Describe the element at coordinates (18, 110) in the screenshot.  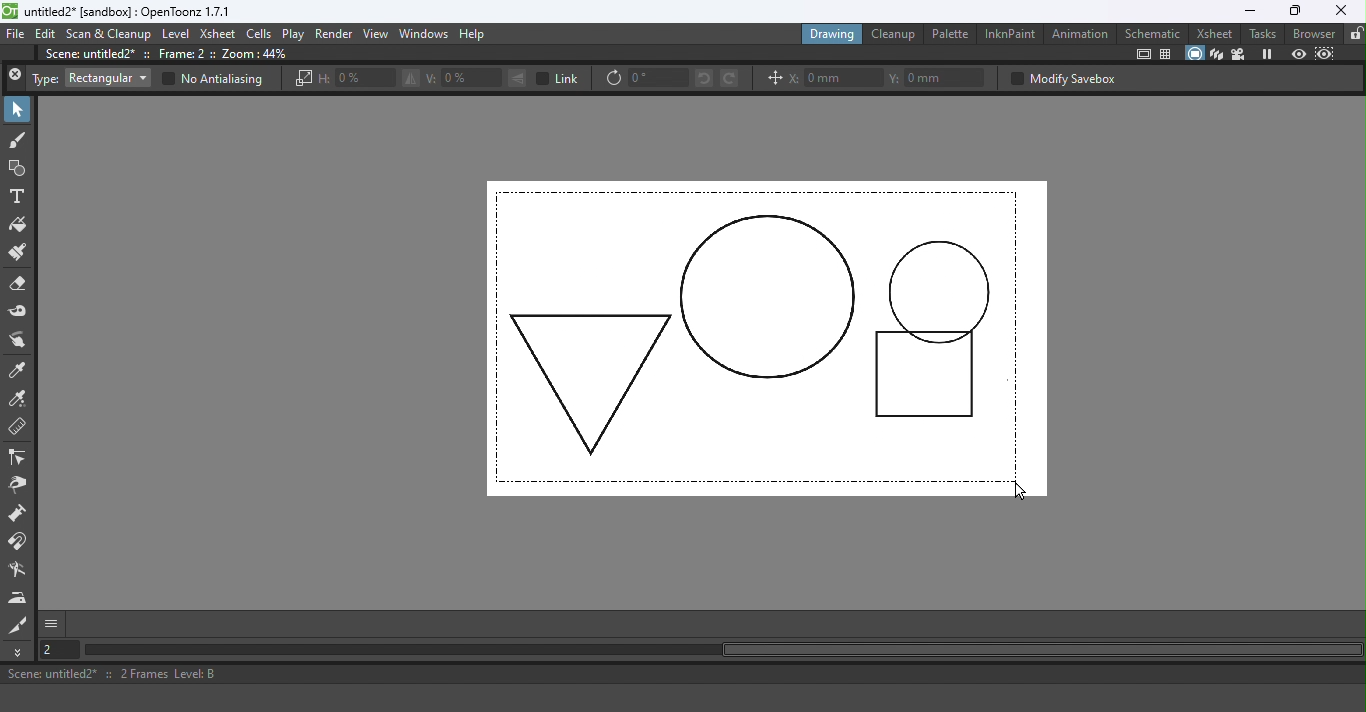
I see `Selection tool` at that location.